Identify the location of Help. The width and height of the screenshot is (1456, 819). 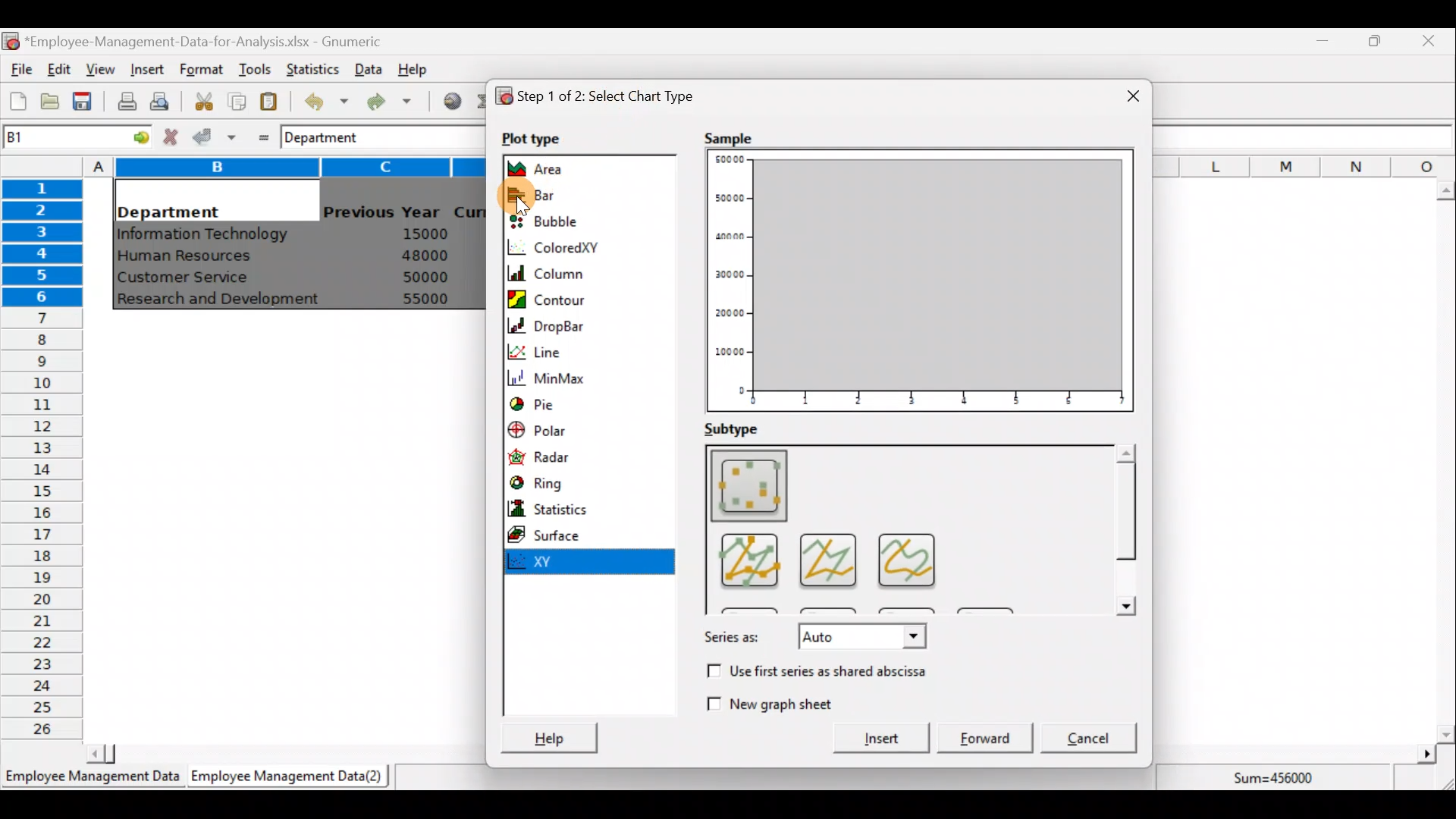
(422, 68).